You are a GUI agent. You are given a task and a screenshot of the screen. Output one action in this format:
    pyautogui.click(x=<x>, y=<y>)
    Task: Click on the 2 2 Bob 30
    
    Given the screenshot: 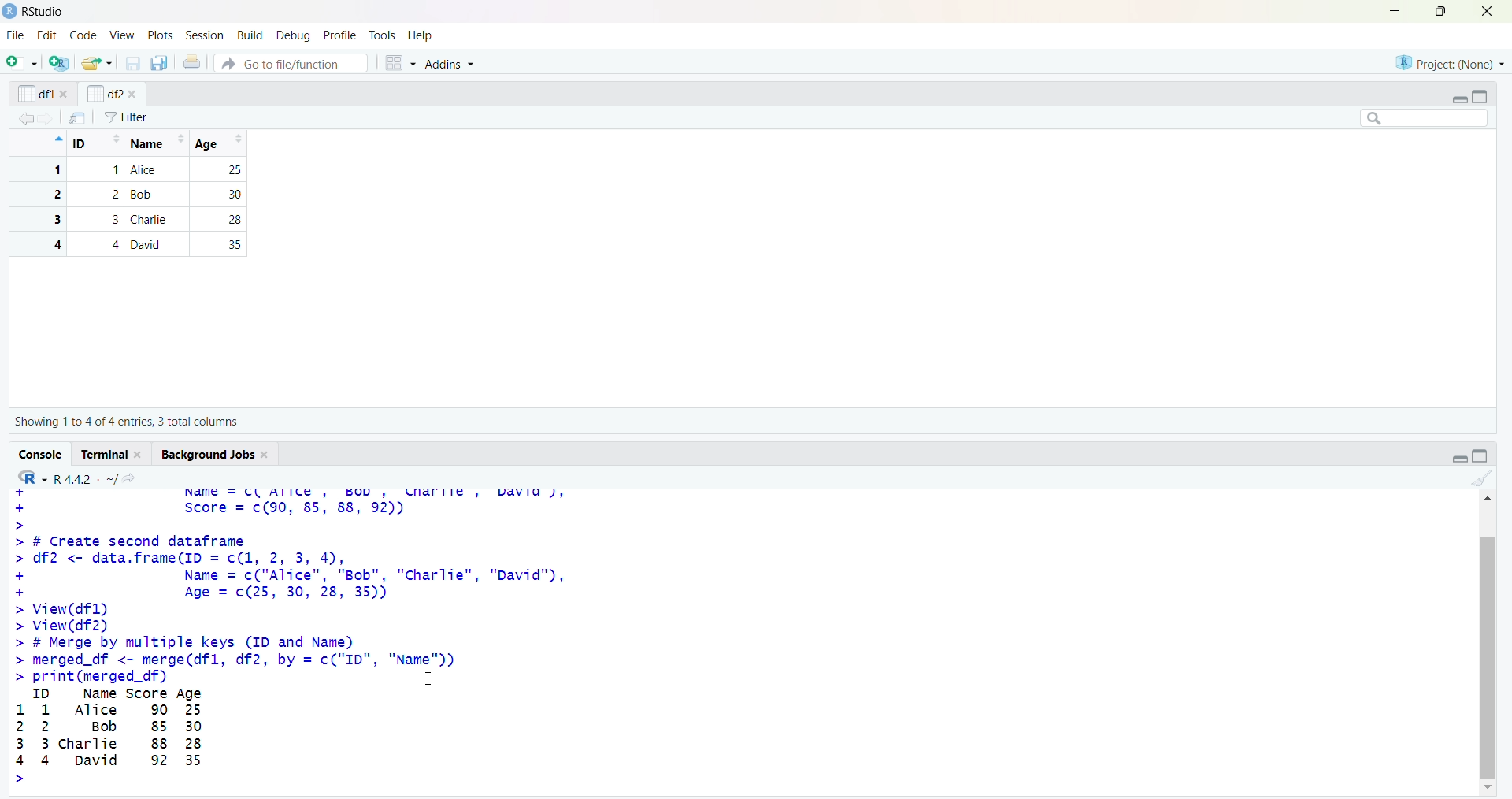 What is the action you would take?
    pyautogui.click(x=135, y=195)
    